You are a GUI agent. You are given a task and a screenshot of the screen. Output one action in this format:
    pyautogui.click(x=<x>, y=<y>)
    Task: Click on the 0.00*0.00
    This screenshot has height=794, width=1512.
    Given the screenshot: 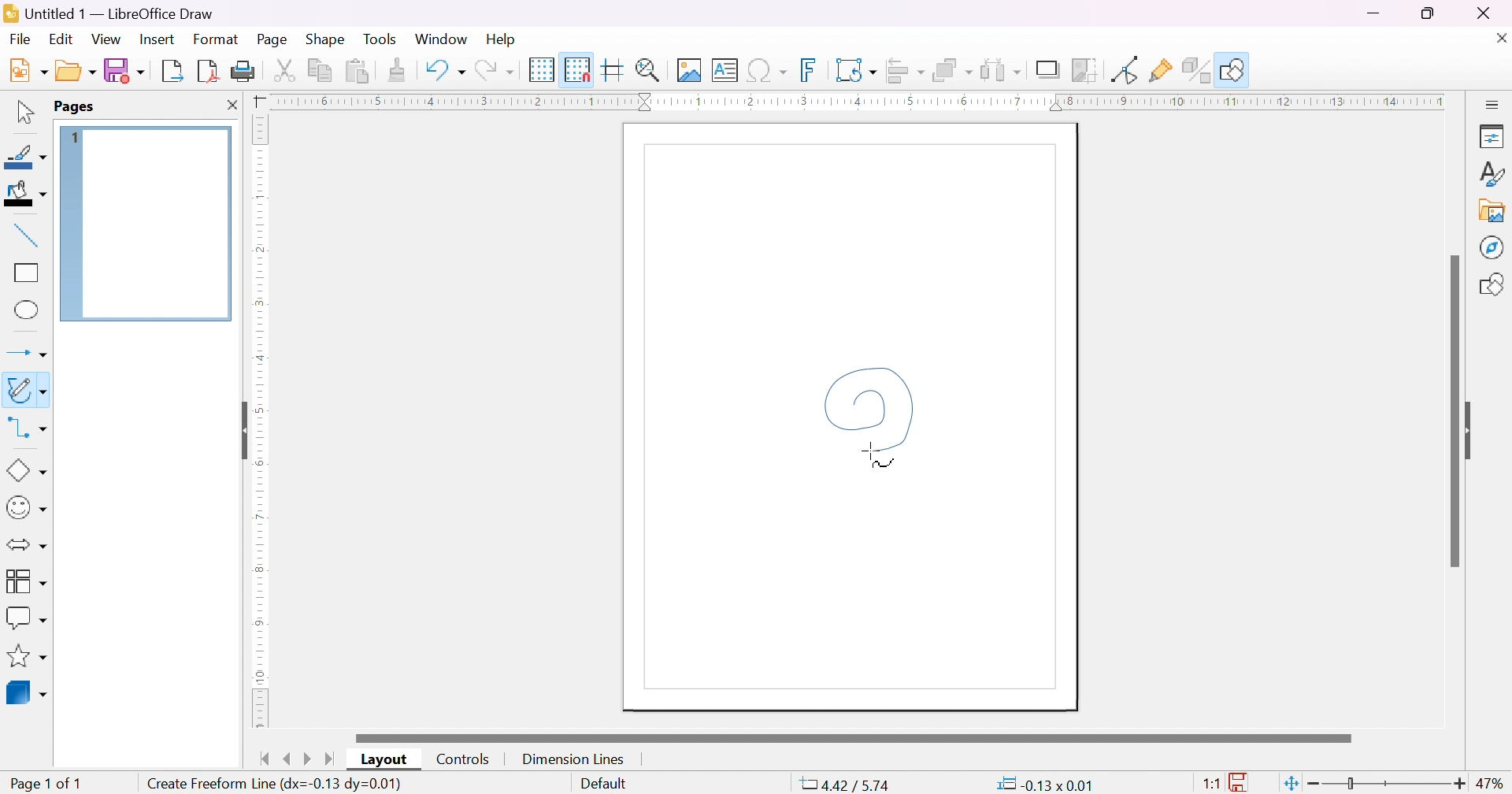 What is the action you would take?
    pyautogui.click(x=1044, y=783)
    